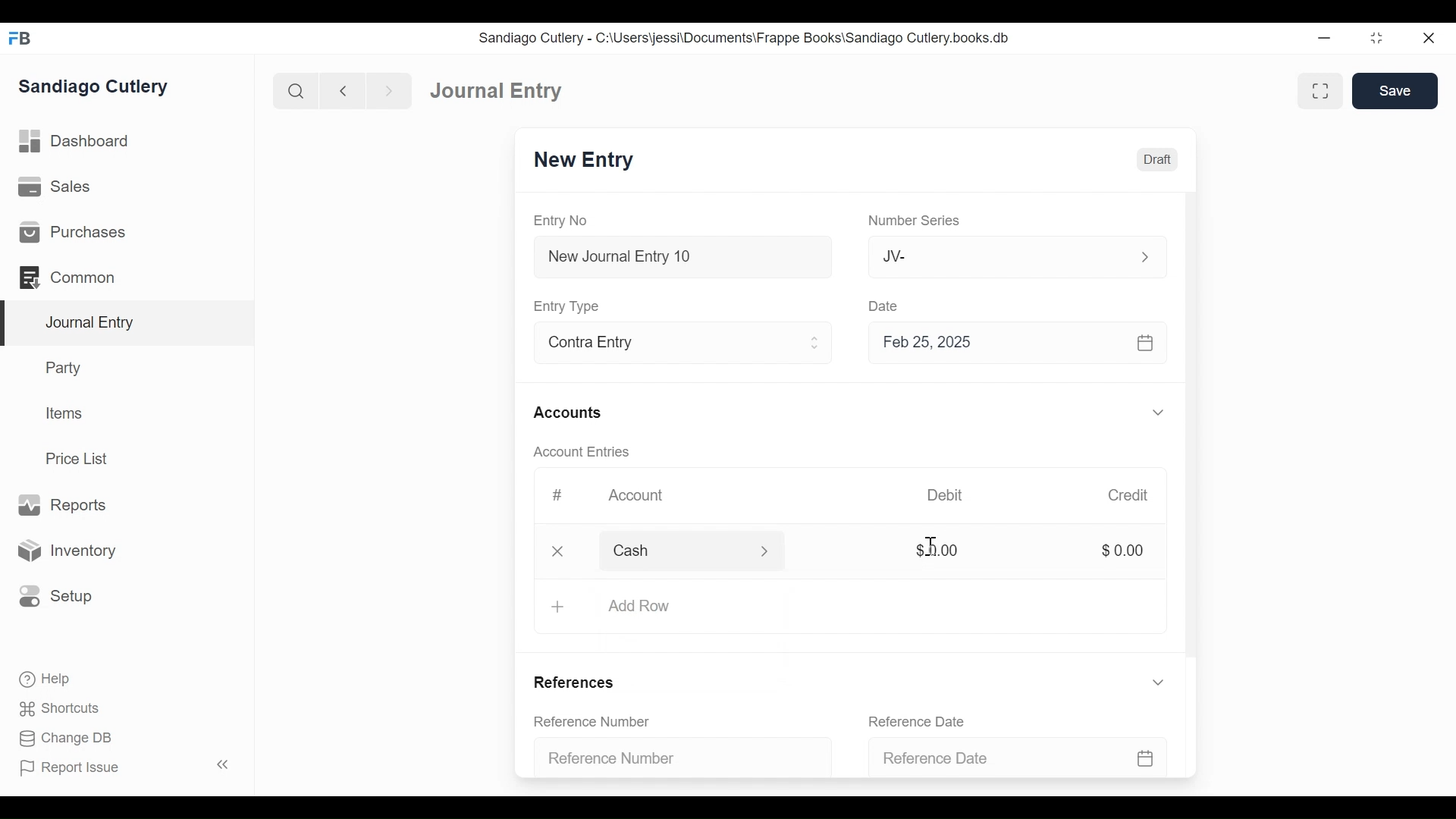 This screenshot has height=819, width=1456. I want to click on Close, so click(558, 551).